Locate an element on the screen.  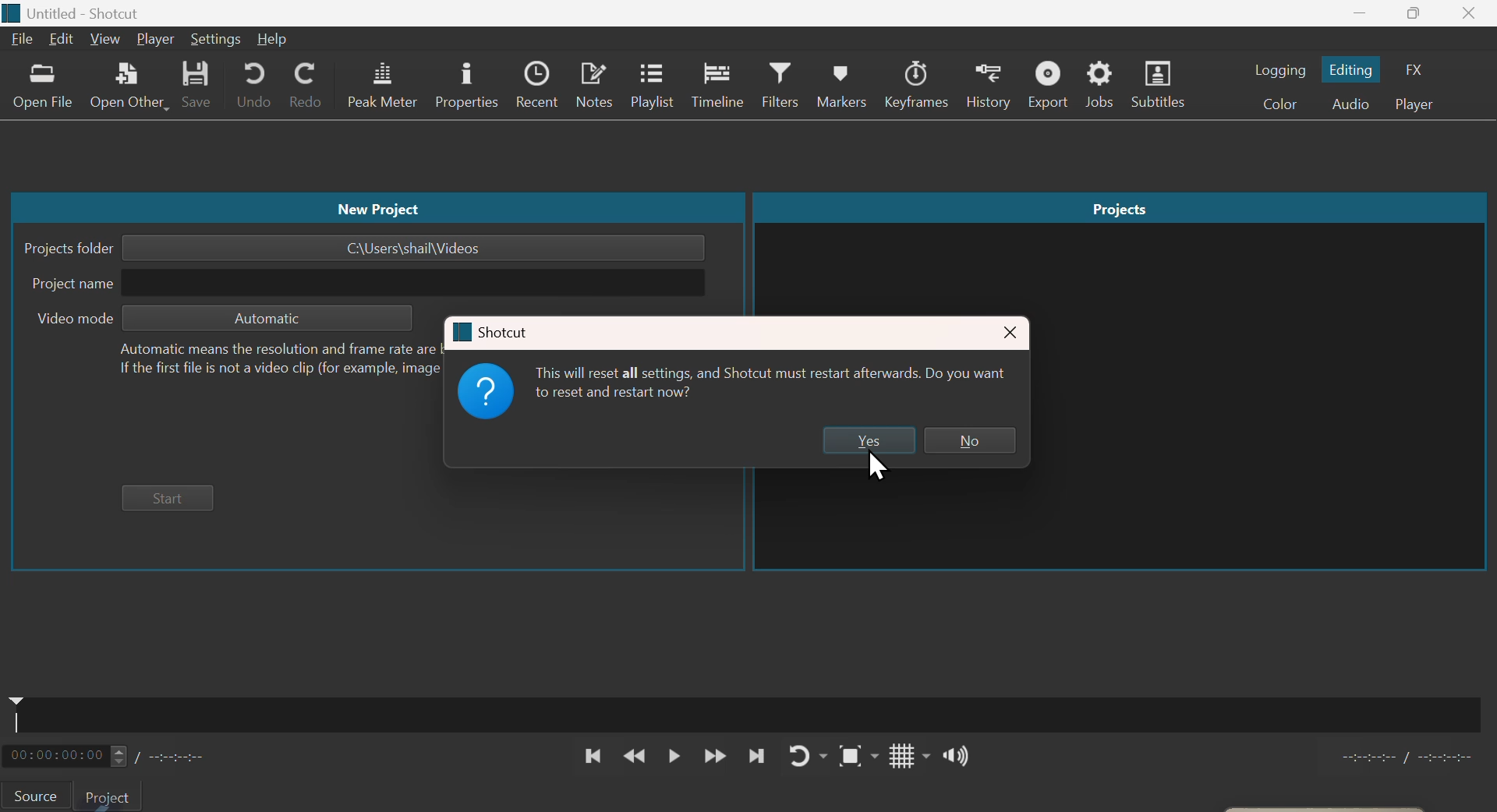
Unbtitled-Shortcut is located at coordinates (101, 12).